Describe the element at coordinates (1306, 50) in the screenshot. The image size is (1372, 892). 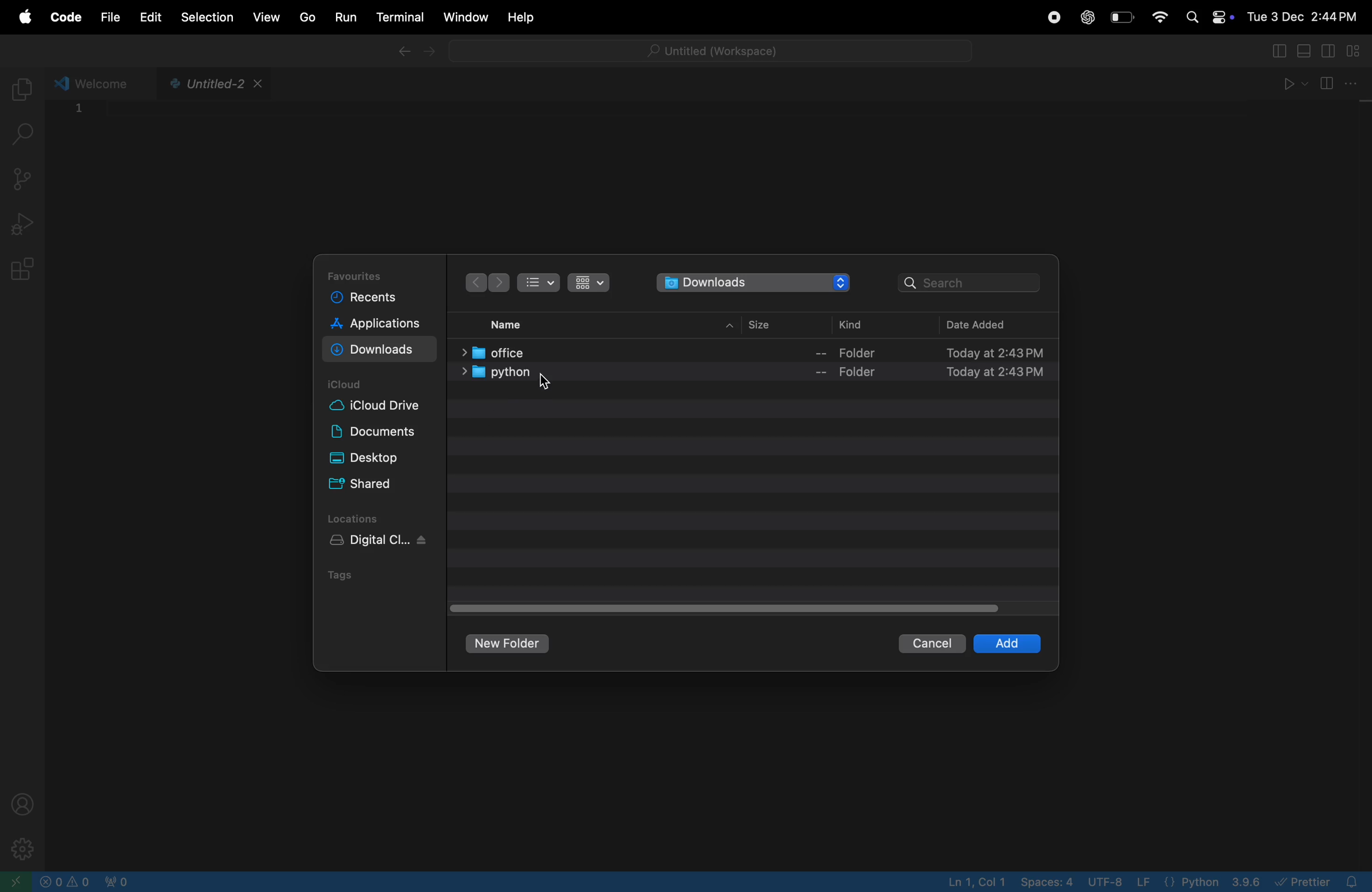
I see `toggle panel` at that location.